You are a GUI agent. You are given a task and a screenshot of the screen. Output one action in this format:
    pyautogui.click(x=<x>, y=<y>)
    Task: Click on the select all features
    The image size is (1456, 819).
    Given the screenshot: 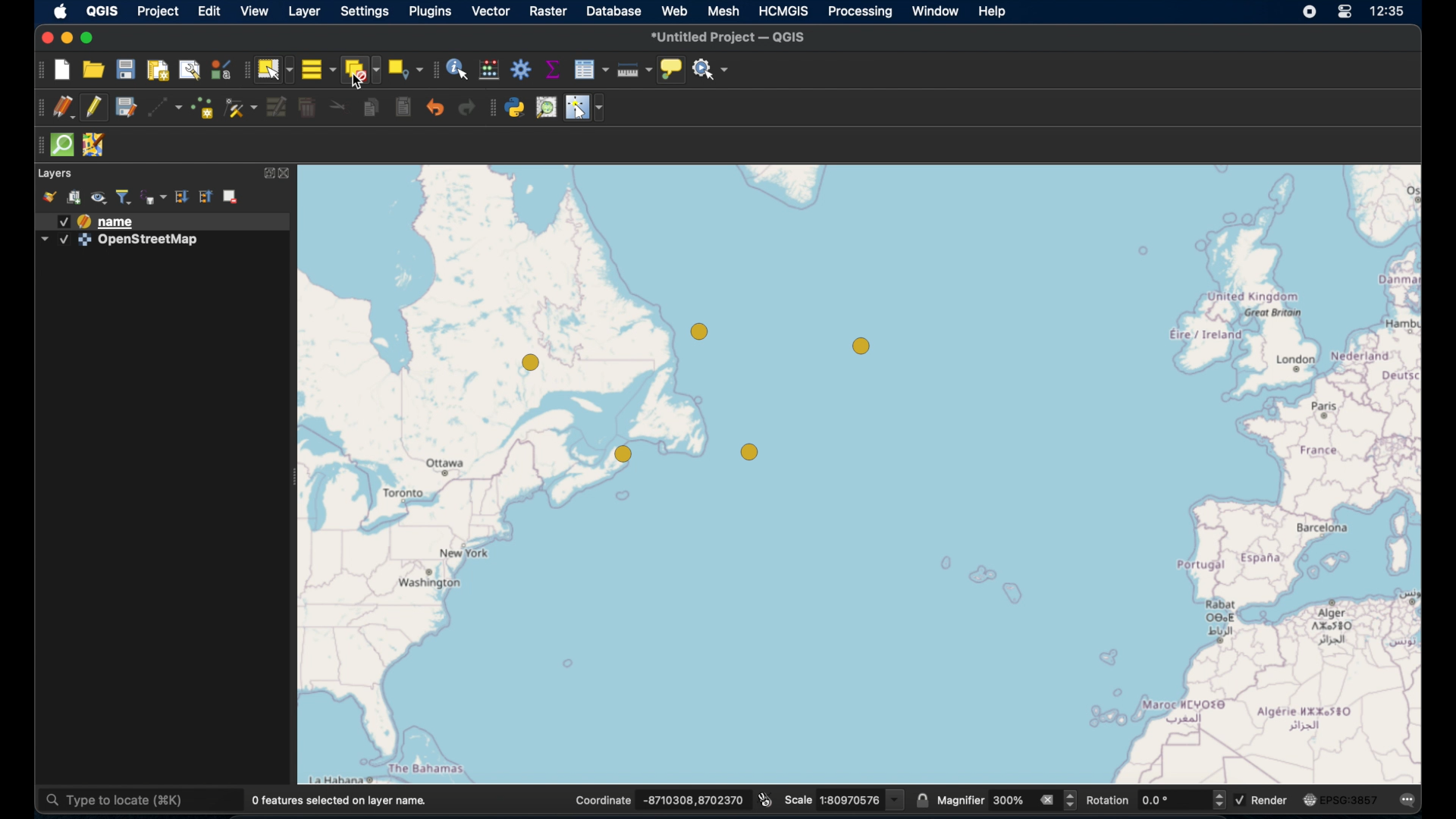 What is the action you would take?
    pyautogui.click(x=318, y=71)
    